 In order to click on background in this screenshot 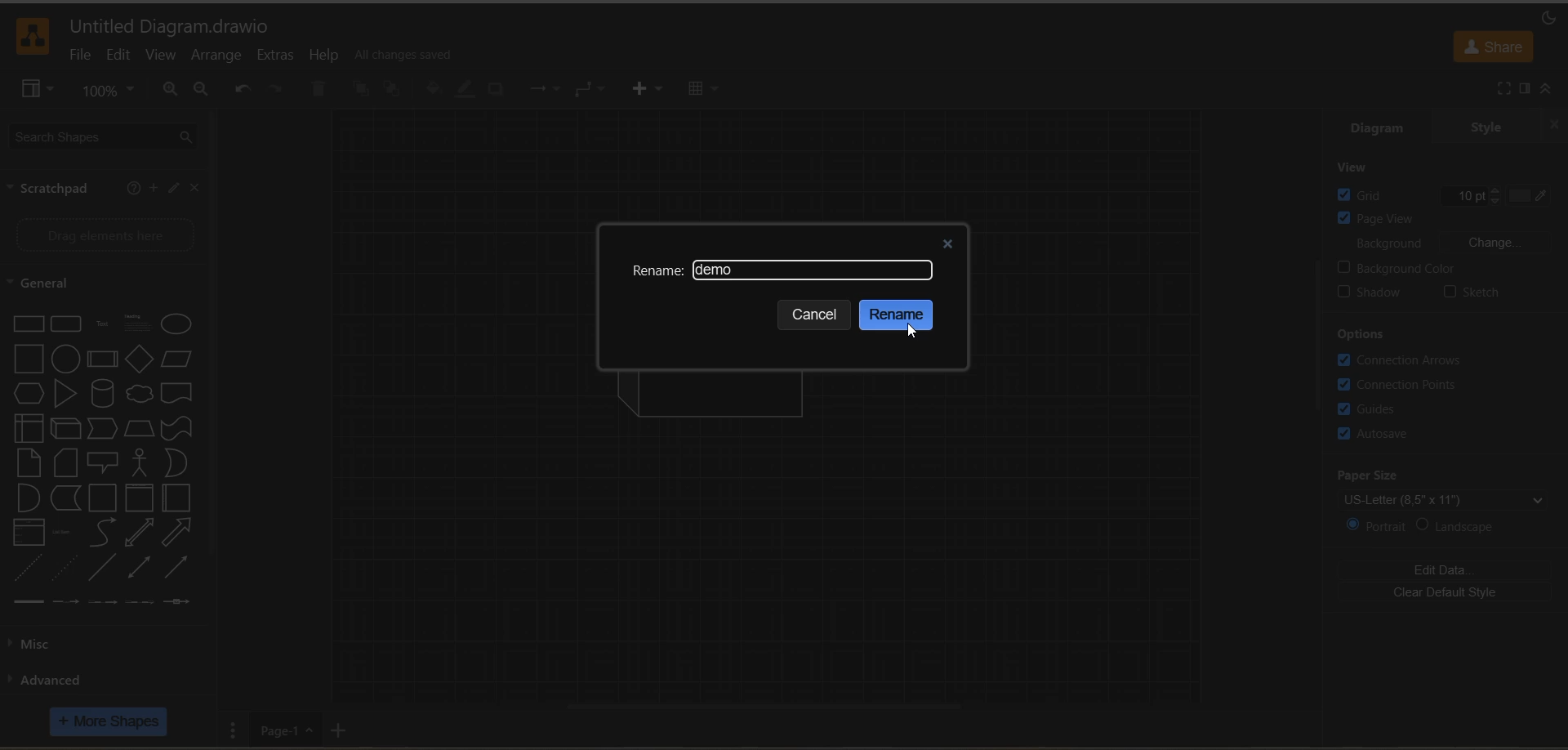, I will do `click(1454, 243)`.